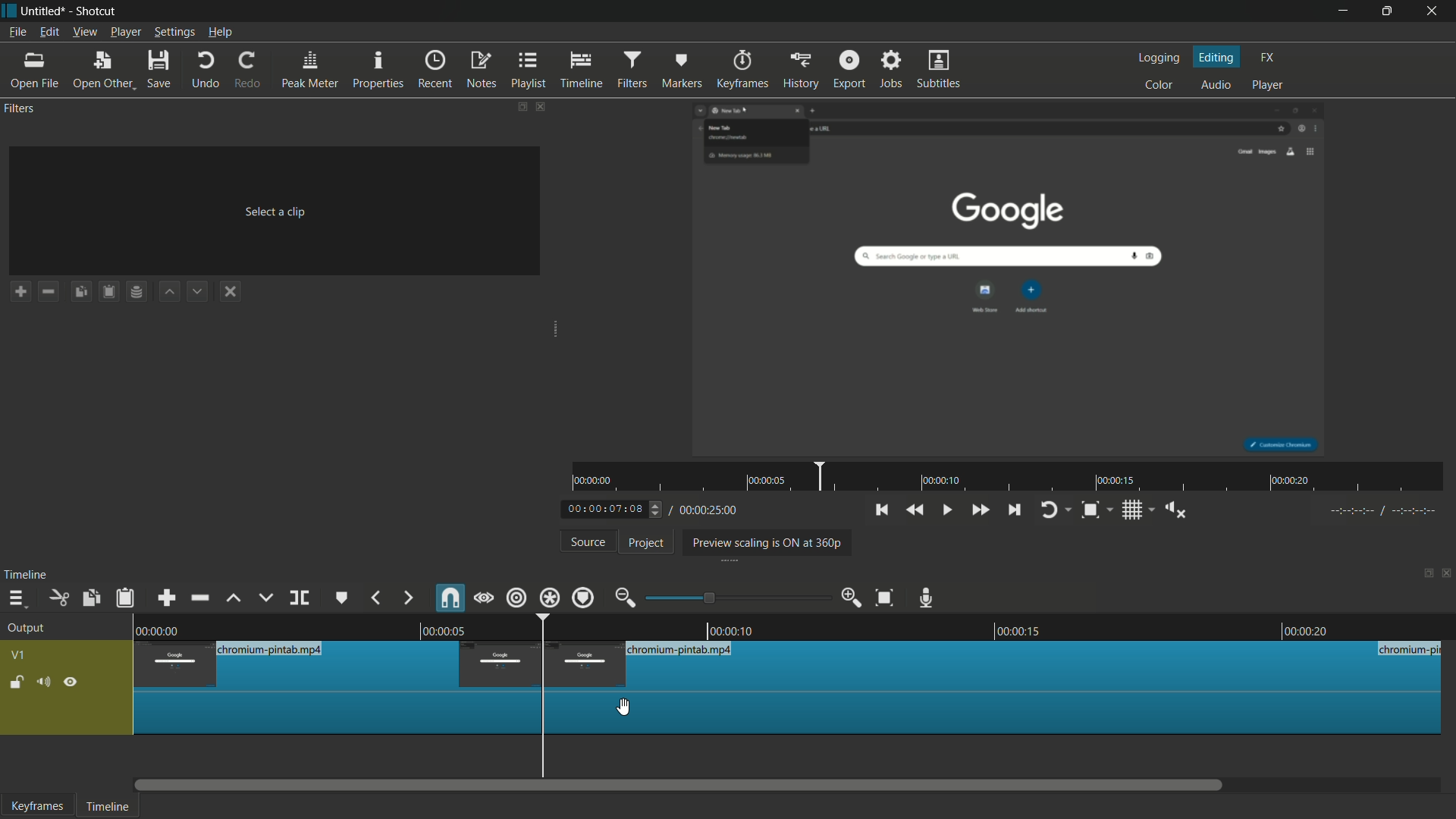 The height and width of the screenshot is (819, 1456). Describe the element at coordinates (630, 71) in the screenshot. I see `filters` at that location.